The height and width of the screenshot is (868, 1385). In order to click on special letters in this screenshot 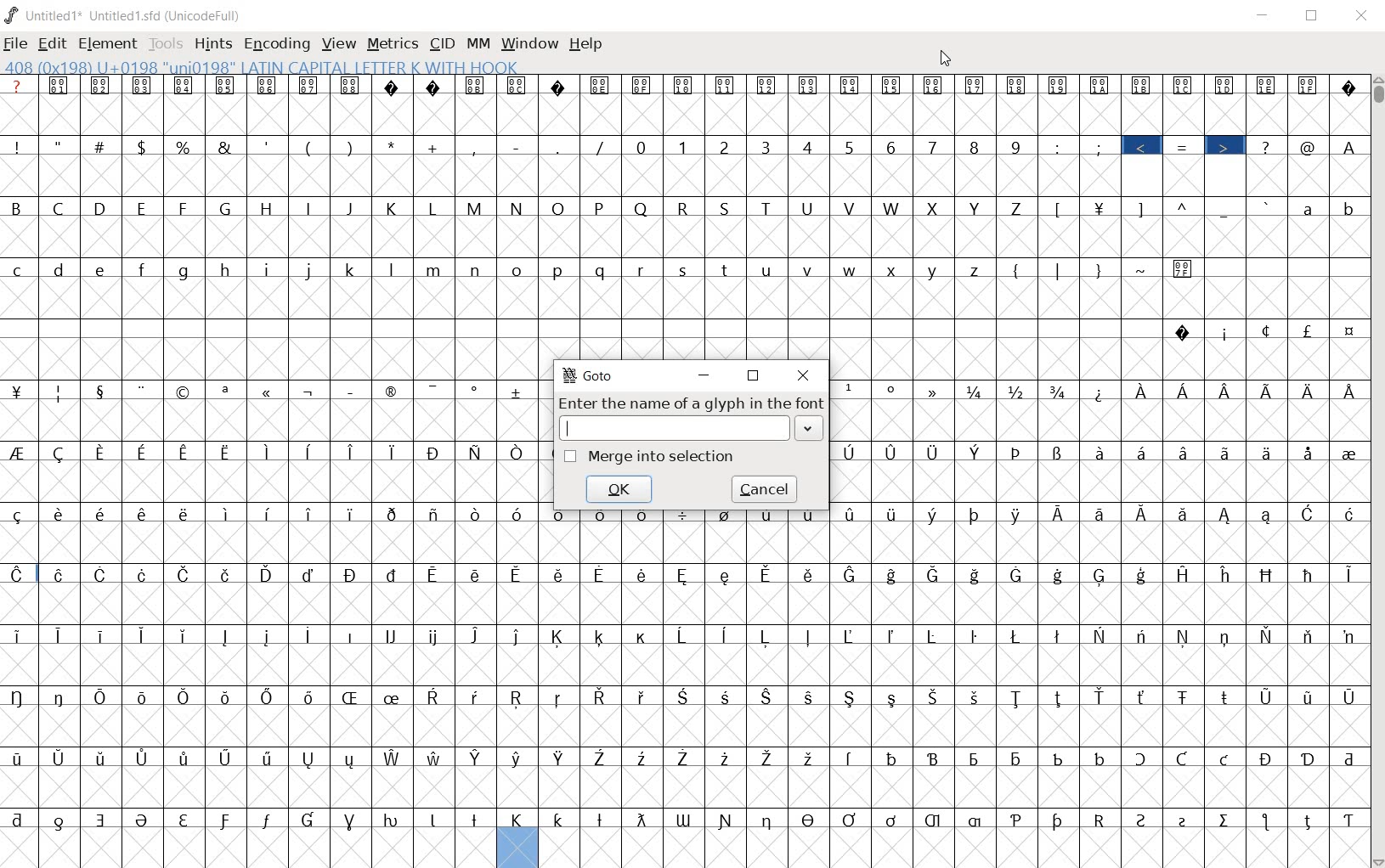, I will do `click(273, 451)`.